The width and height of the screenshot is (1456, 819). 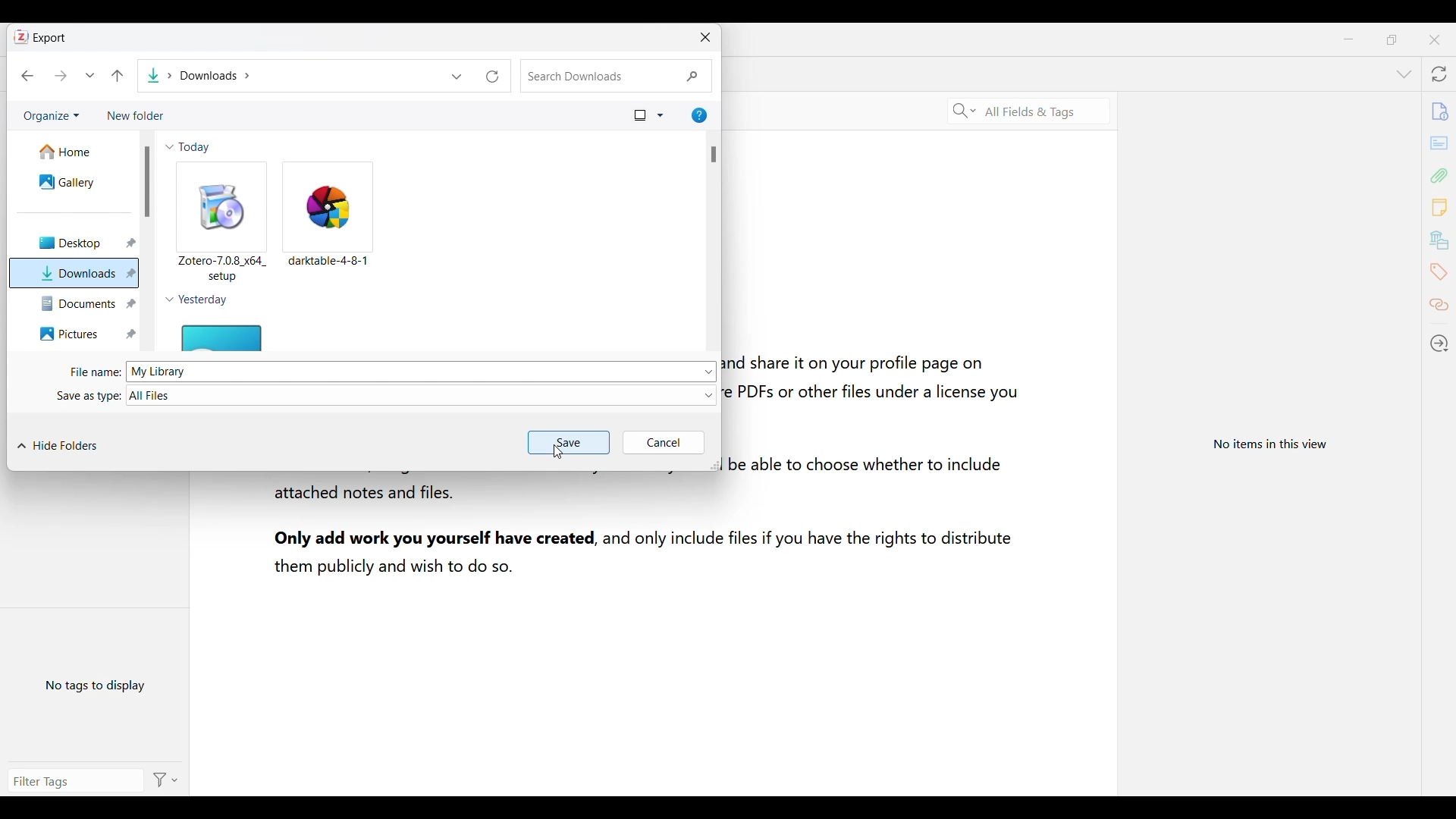 What do you see at coordinates (147, 176) in the screenshot?
I see `Scrollbar` at bounding box center [147, 176].